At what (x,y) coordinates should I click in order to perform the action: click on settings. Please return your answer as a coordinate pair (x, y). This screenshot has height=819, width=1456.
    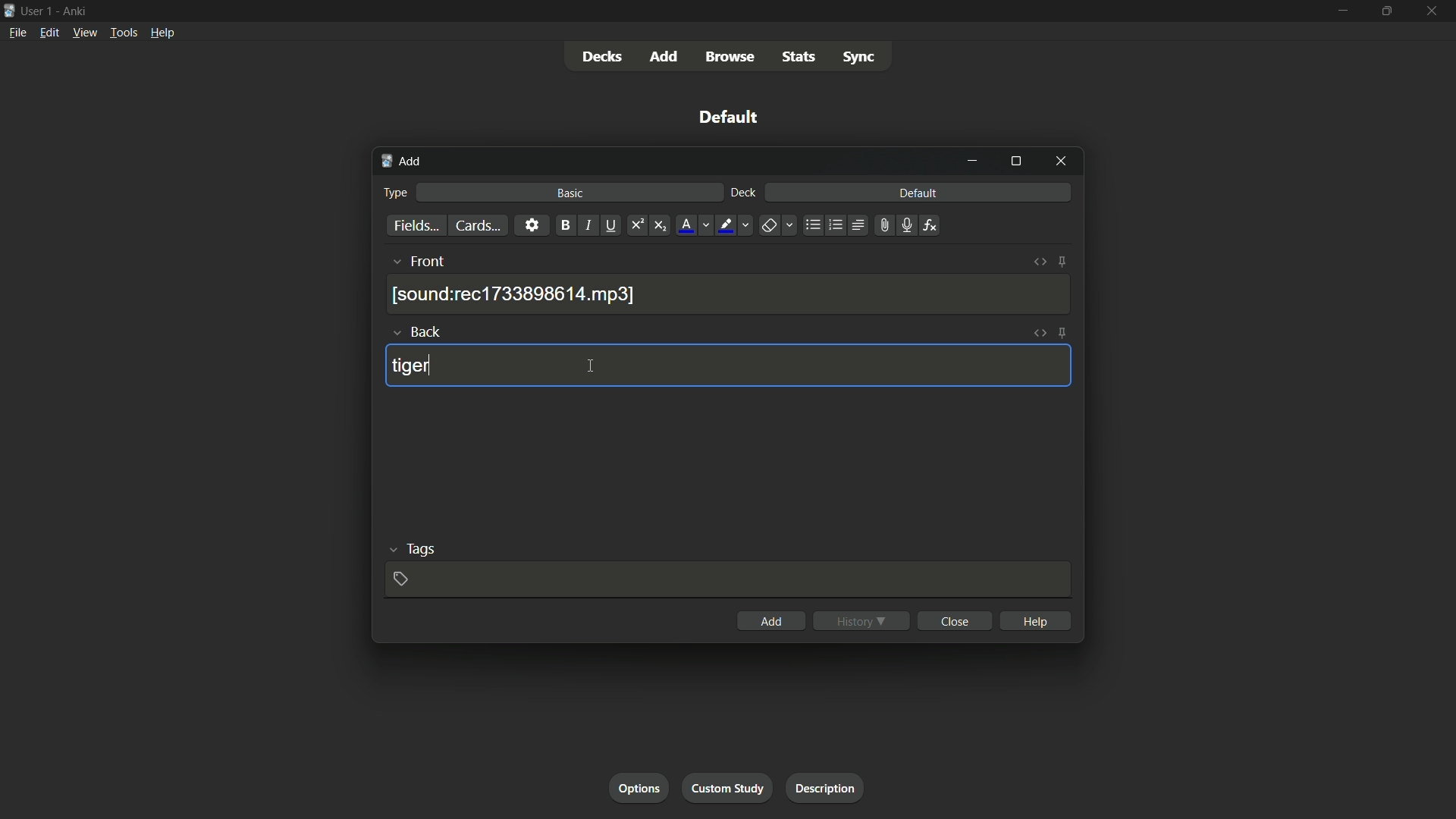
    Looking at the image, I should click on (531, 225).